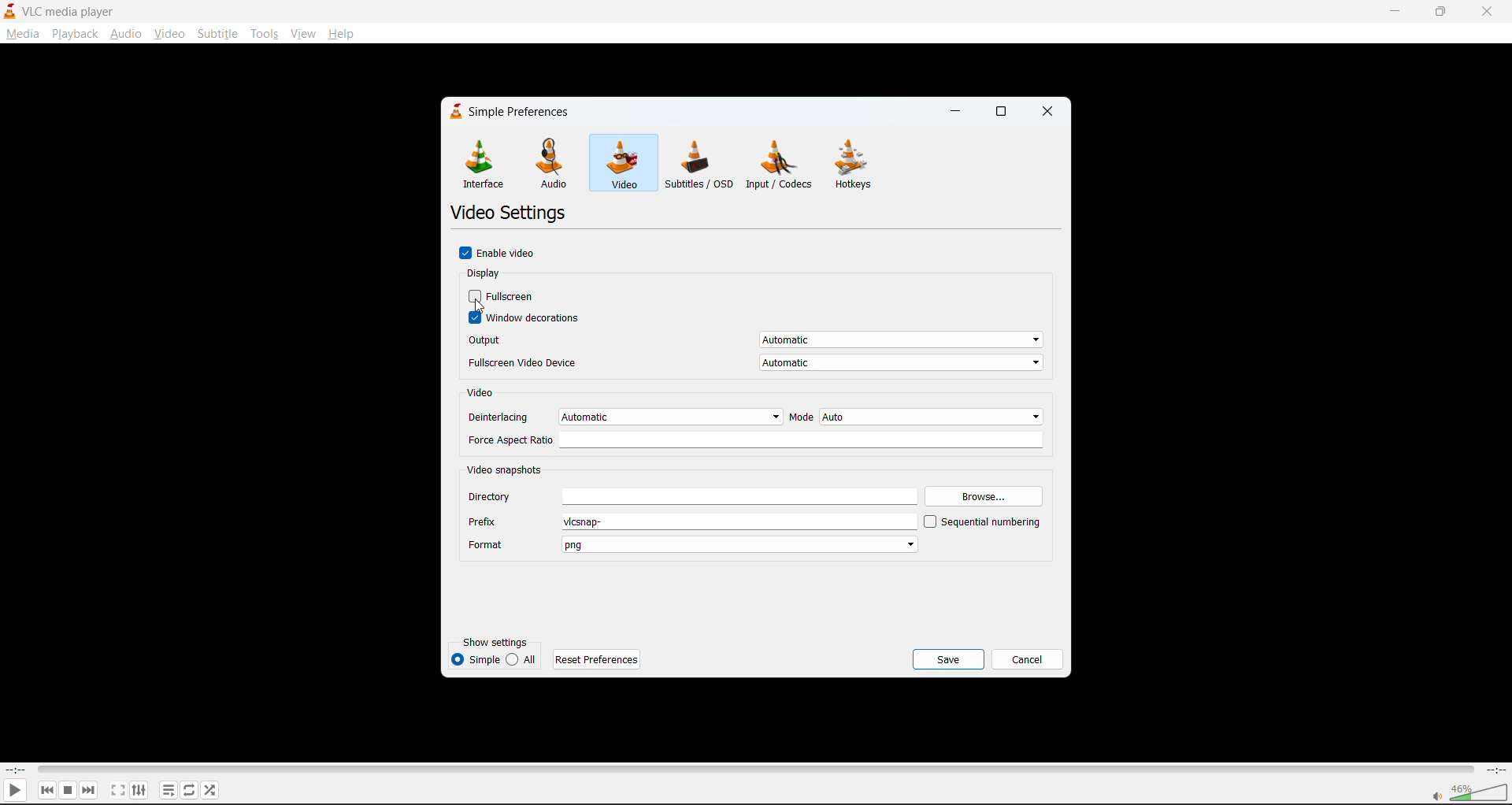 This screenshot has width=1512, height=805. I want to click on suntitle, so click(217, 33).